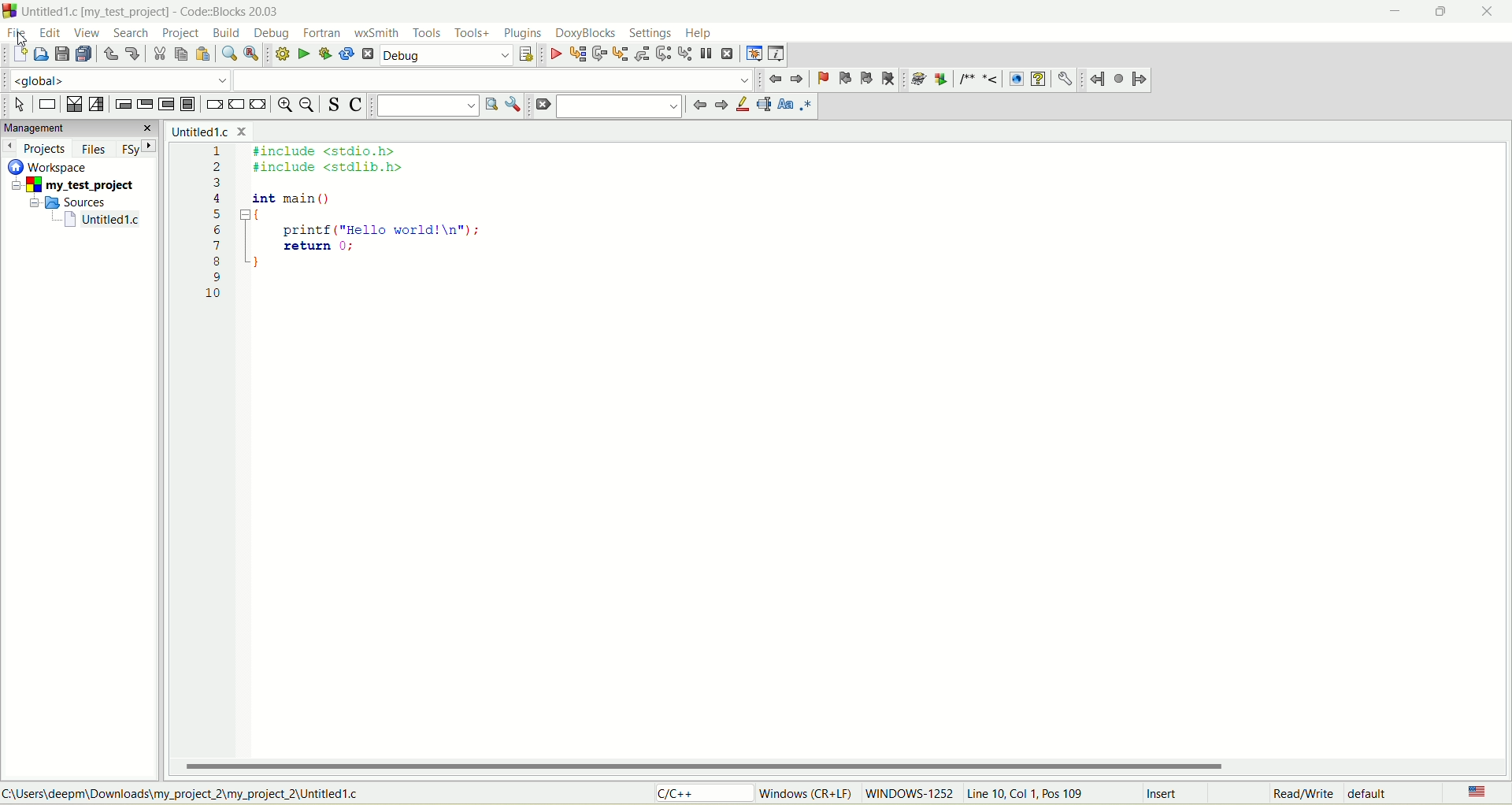 Image resolution: width=1512 pixels, height=805 pixels. I want to click on select target dialog, so click(525, 56).